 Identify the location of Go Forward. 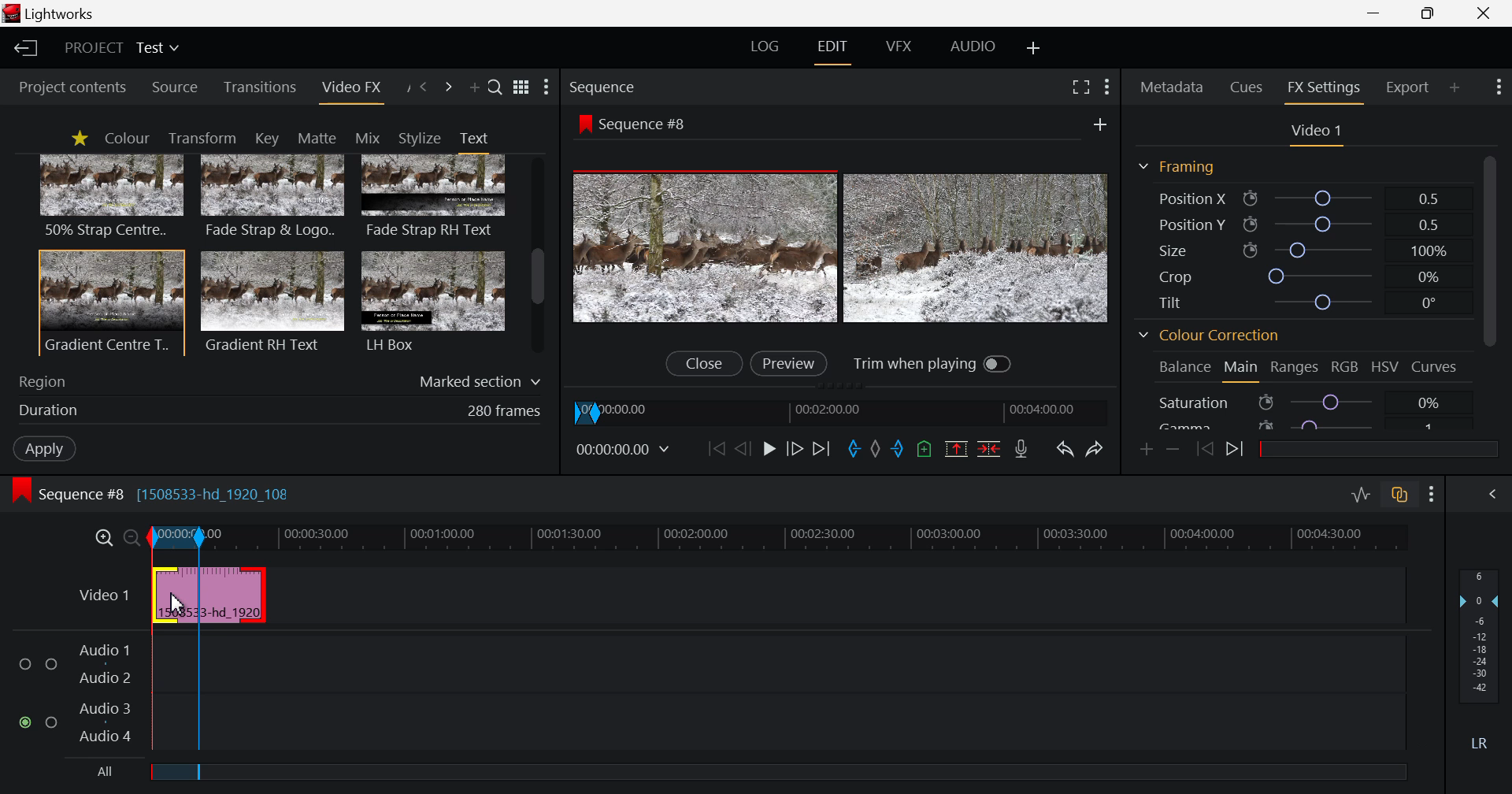
(793, 447).